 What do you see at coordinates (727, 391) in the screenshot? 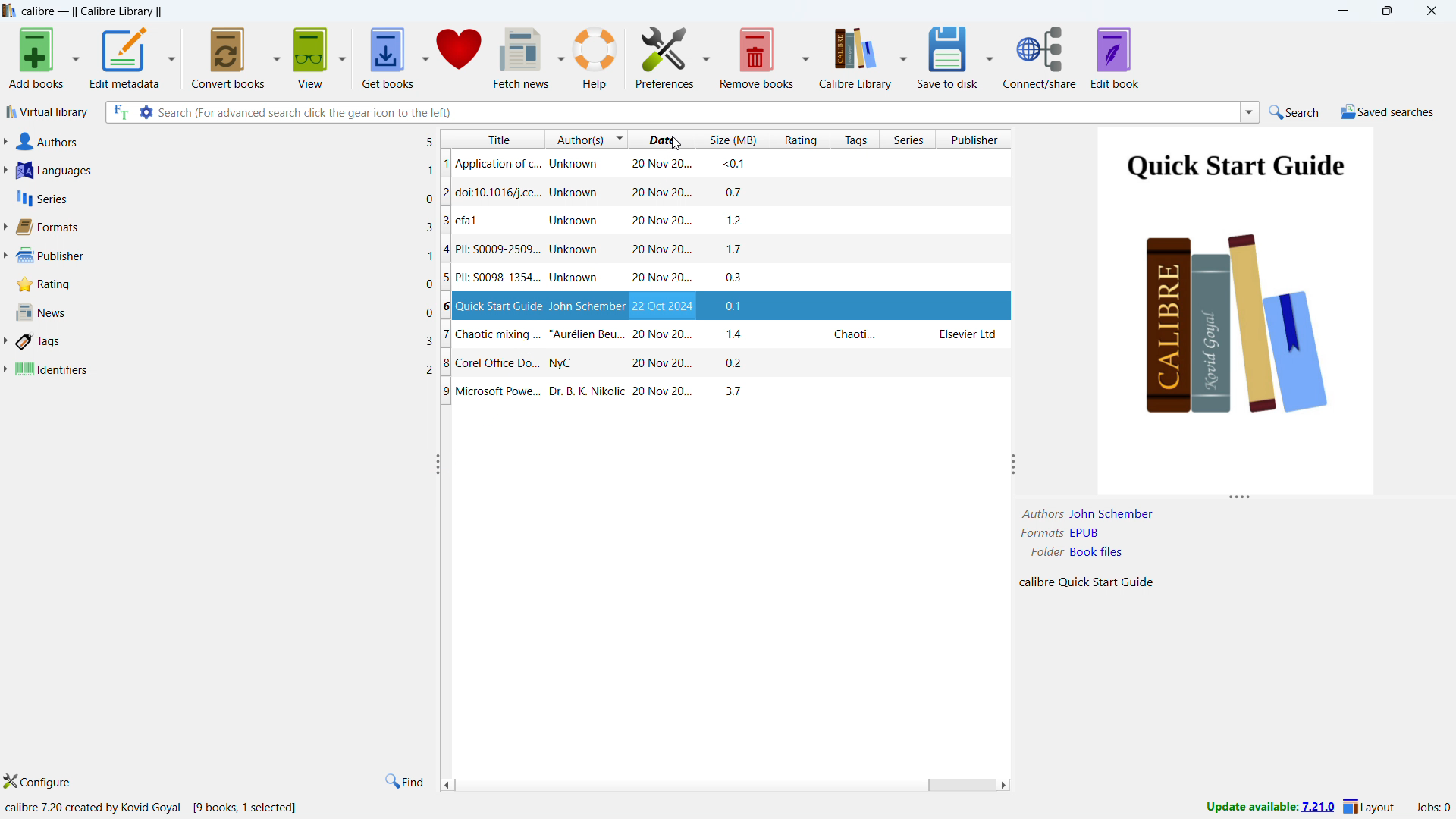
I see `3.7` at bounding box center [727, 391].